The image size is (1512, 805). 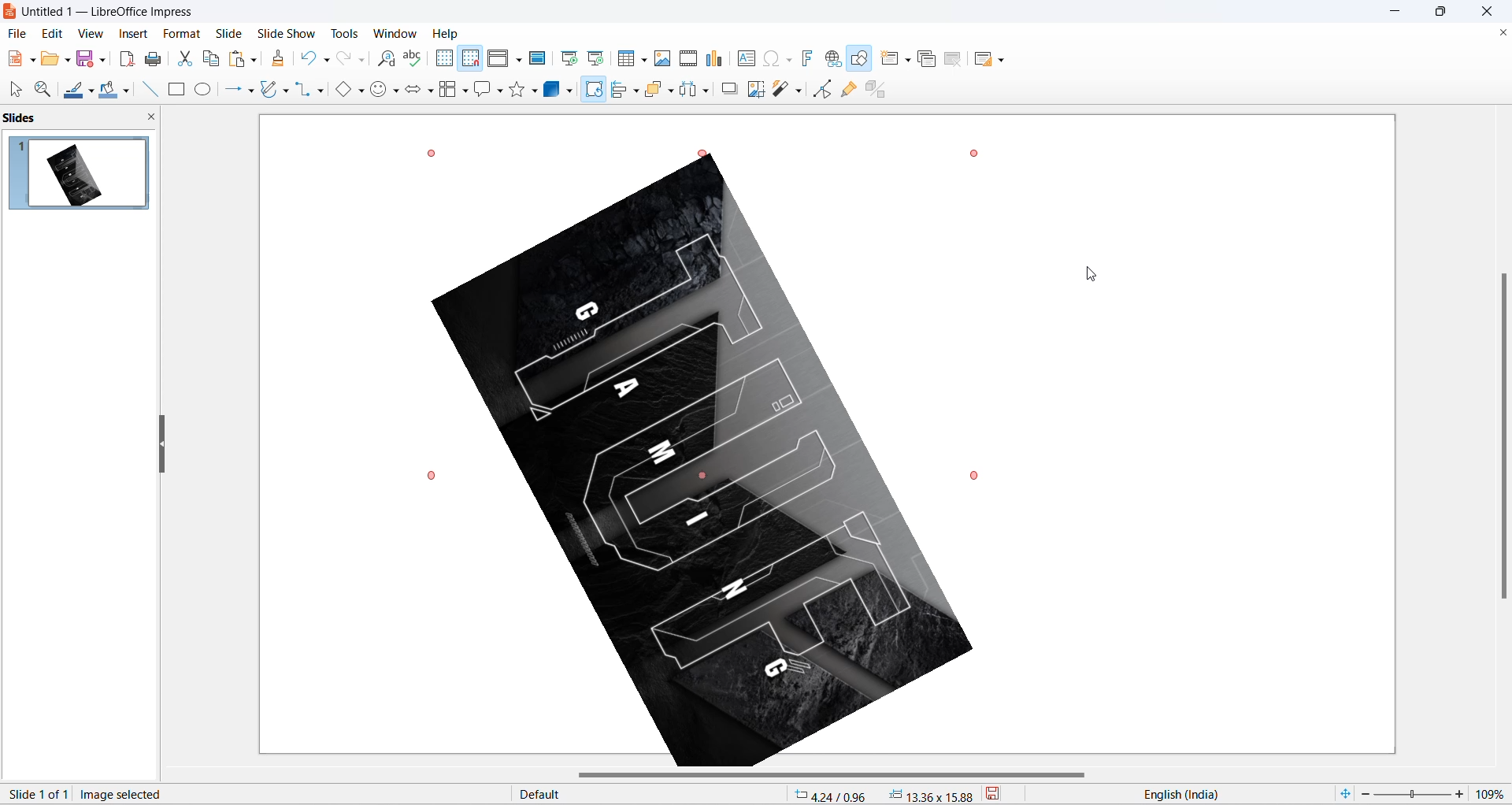 I want to click on line and arrows, so click(x=230, y=90).